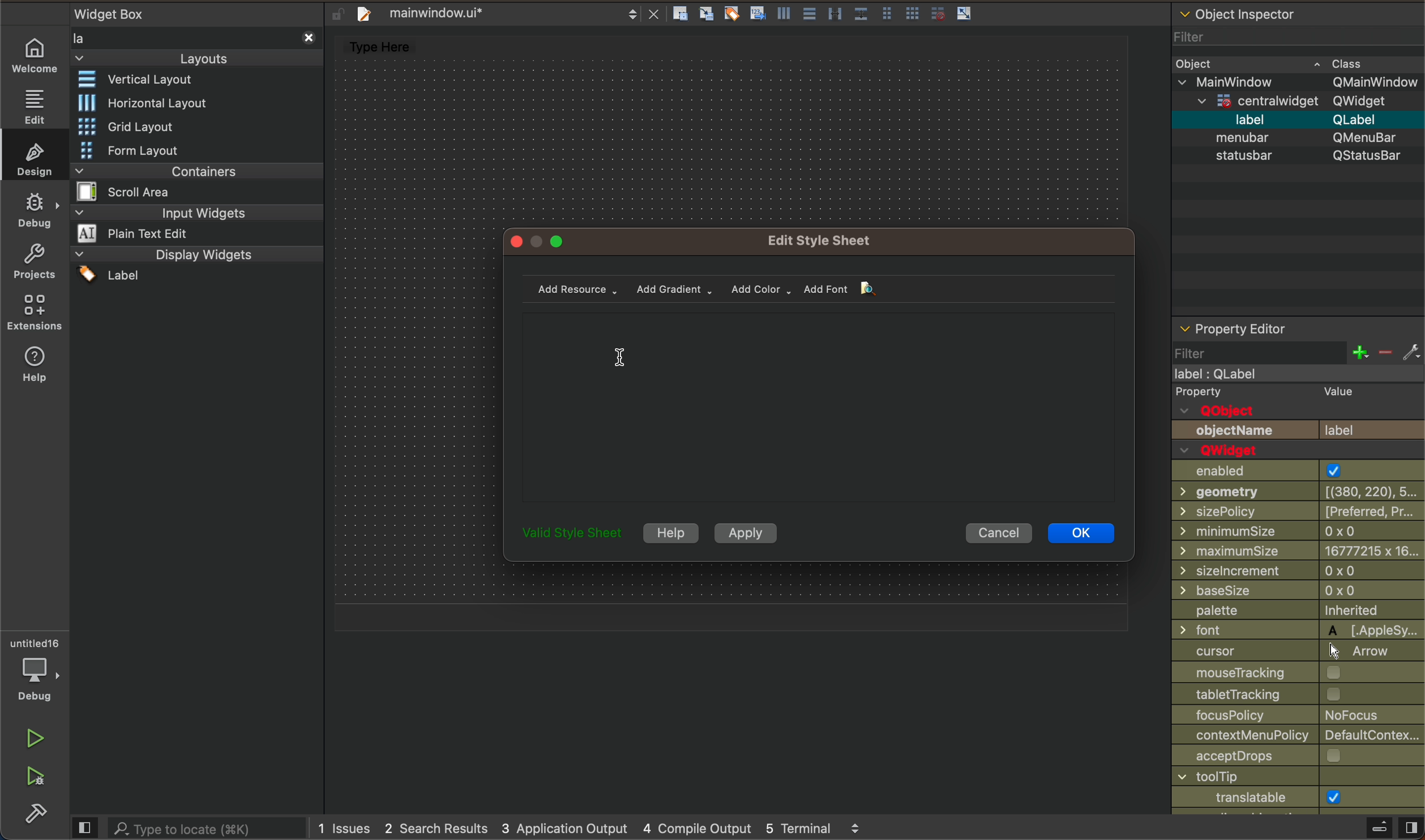  What do you see at coordinates (1290, 611) in the screenshot?
I see `palette` at bounding box center [1290, 611].